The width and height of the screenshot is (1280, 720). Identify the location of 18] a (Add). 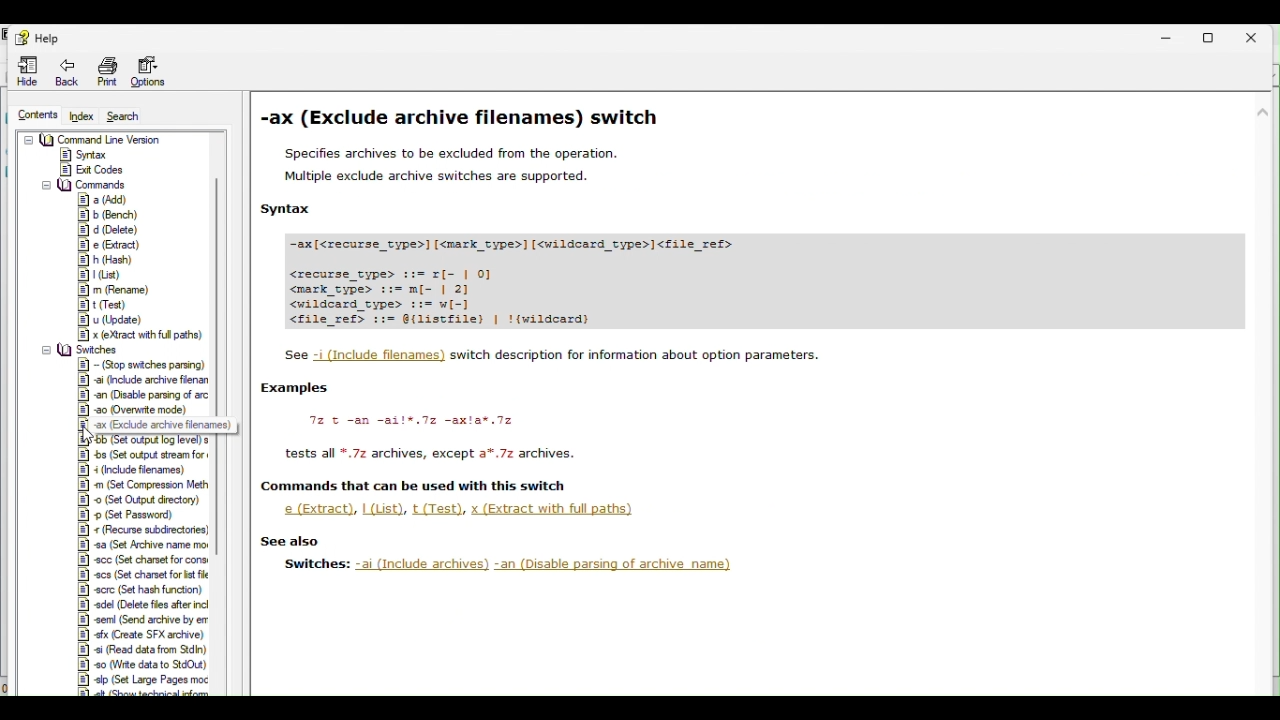
(105, 199).